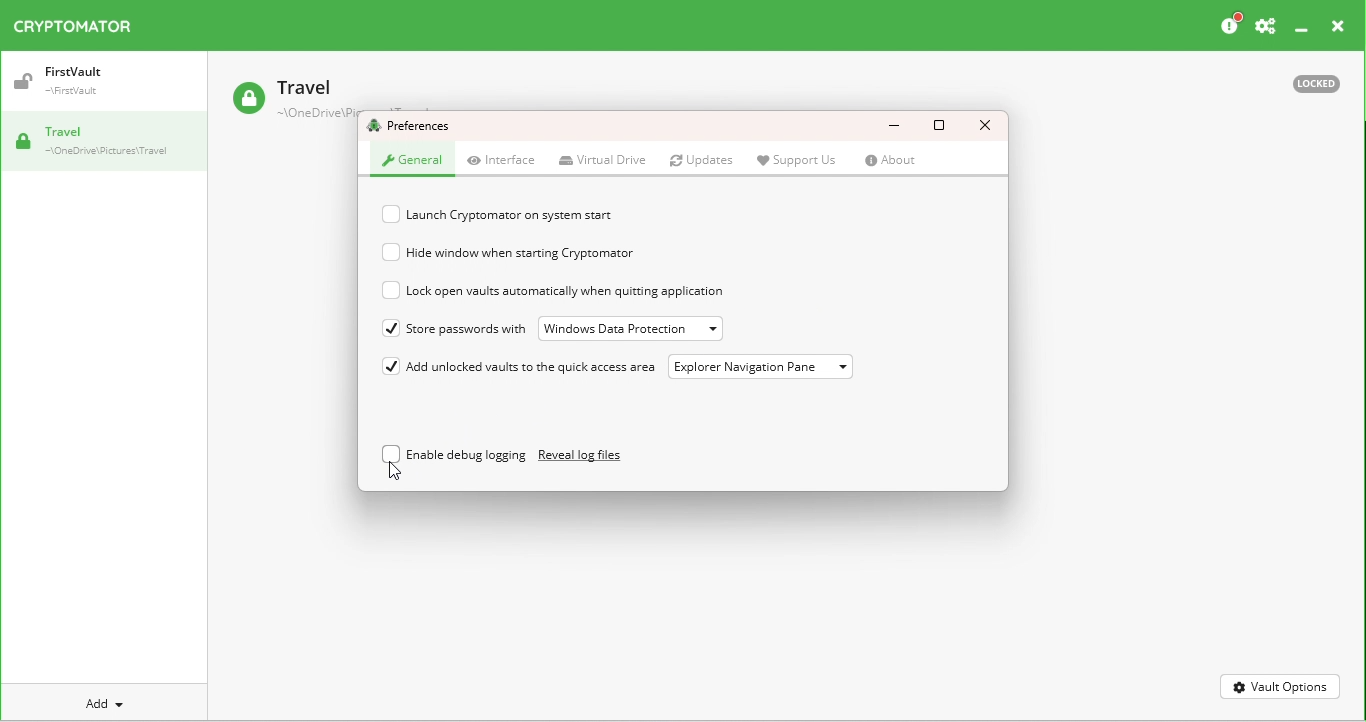 The height and width of the screenshot is (722, 1366). What do you see at coordinates (390, 291) in the screenshot?
I see `Checkboz` at bounding box center [390, 291].